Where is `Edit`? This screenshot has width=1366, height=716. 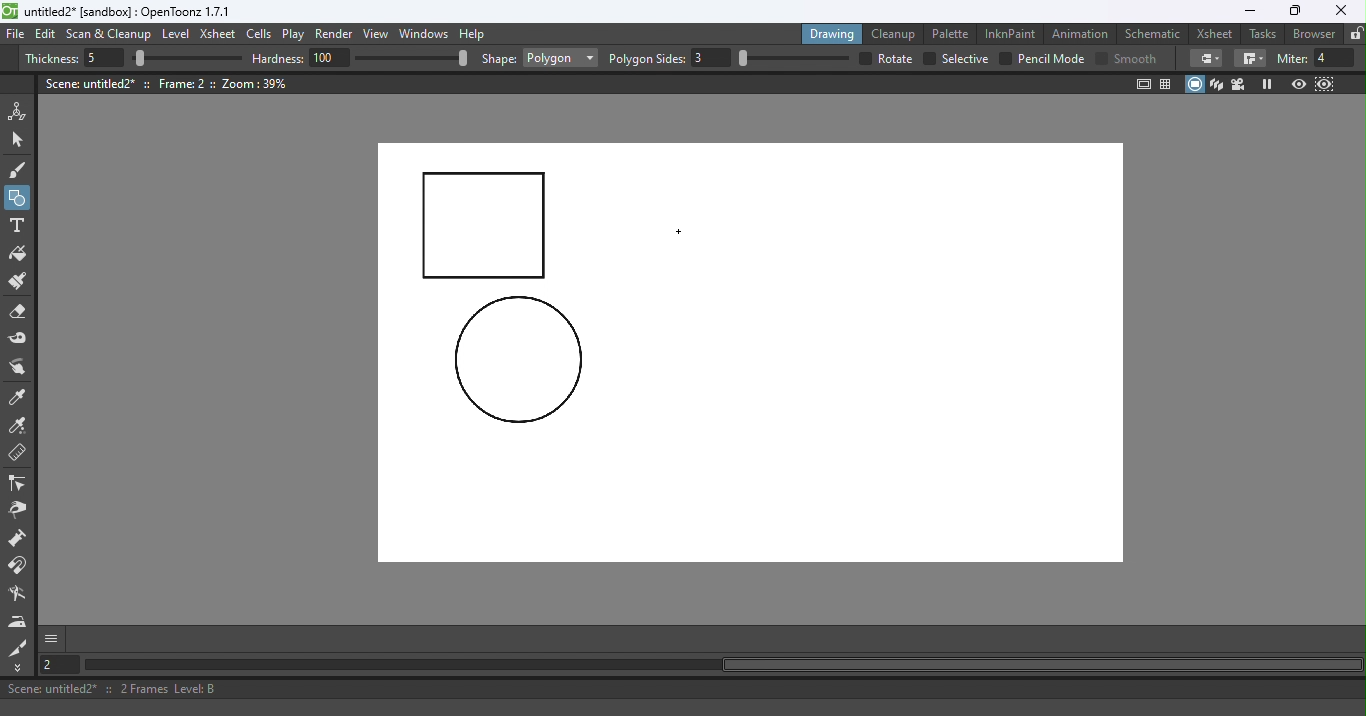
Edit is located at coordinates (48, 34).